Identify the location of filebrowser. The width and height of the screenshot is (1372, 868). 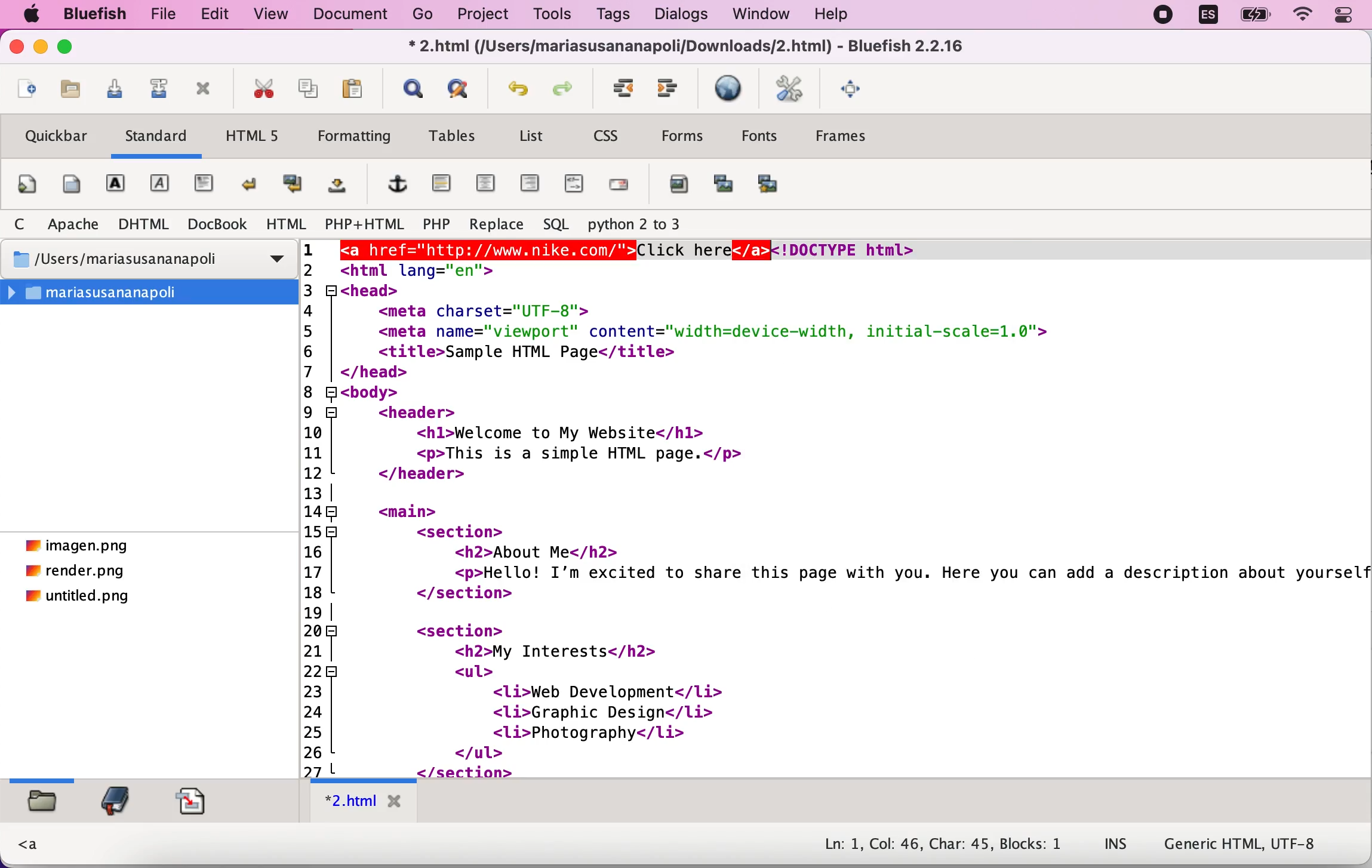
(44, 807).